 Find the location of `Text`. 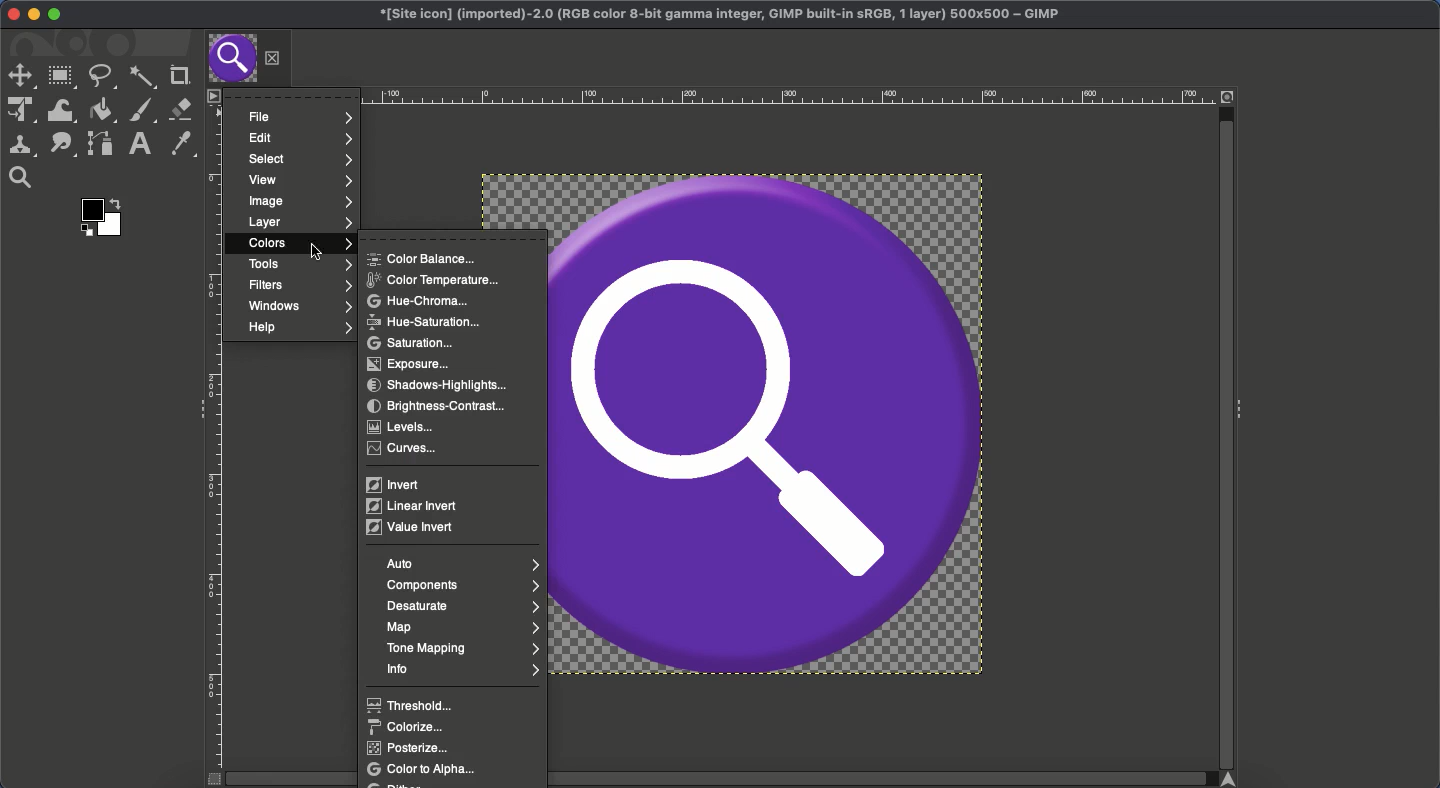

Text is located at coordinates (139, 144).